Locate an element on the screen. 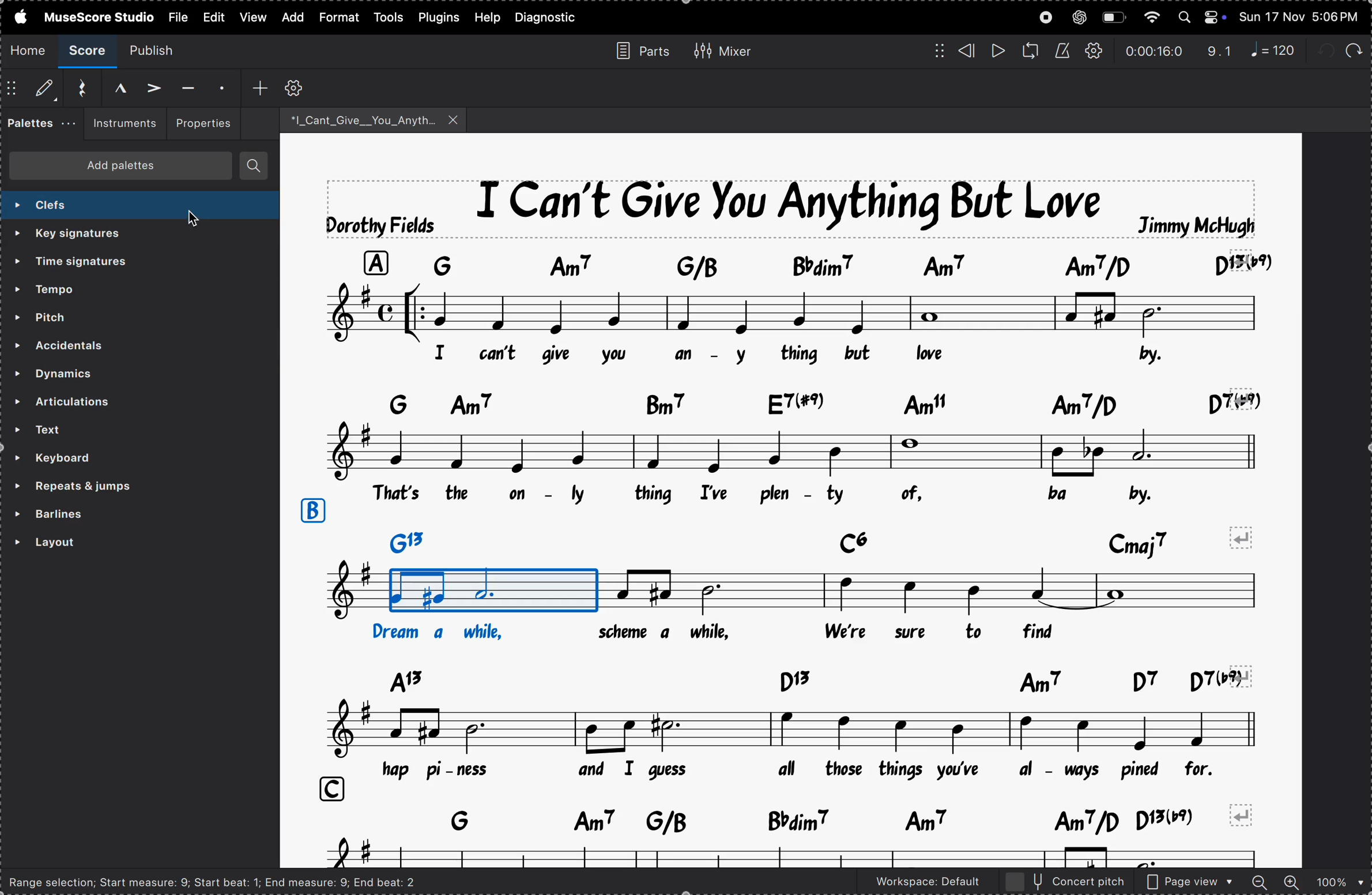 The image size is (1372, 895). battery is located at coordinates (1113, 18).